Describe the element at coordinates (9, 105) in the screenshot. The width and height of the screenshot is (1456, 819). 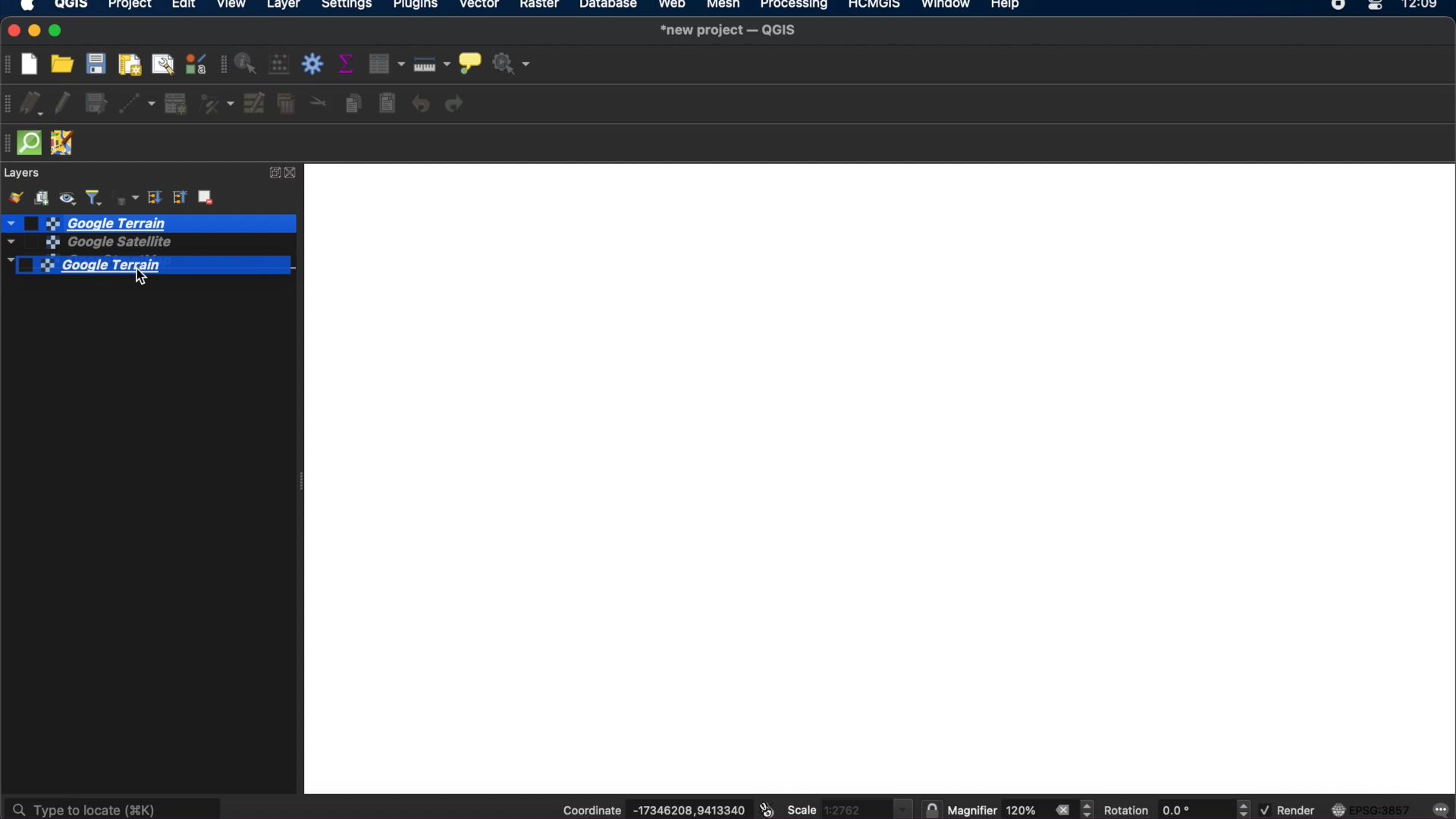
I see `digitizing toolbar` at that location.